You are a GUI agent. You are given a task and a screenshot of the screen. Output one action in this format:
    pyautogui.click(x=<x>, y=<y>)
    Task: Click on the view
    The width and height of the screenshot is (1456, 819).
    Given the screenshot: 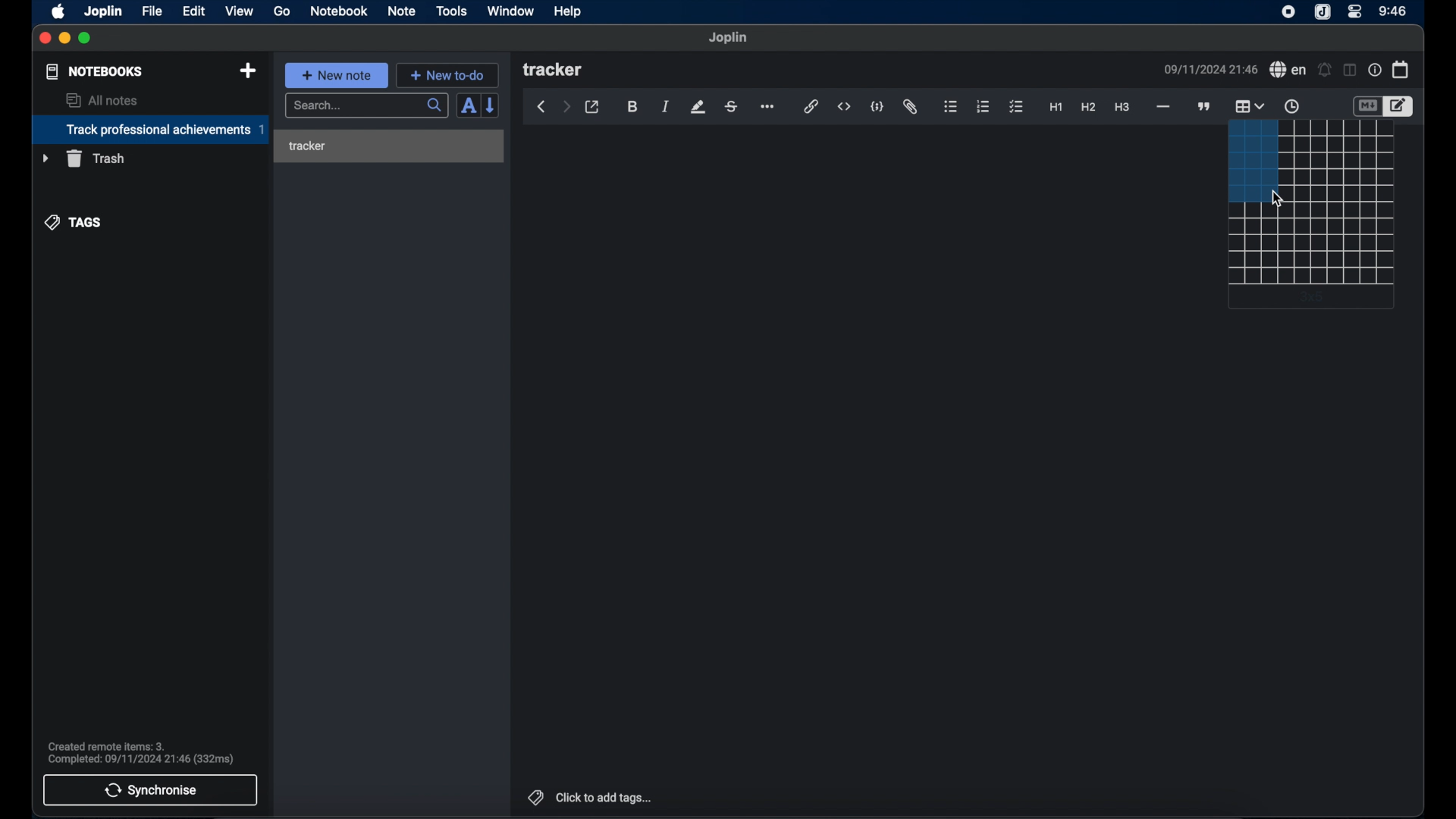 What is the action you would take?
    pyautogui.click(x=239, y=11)
    